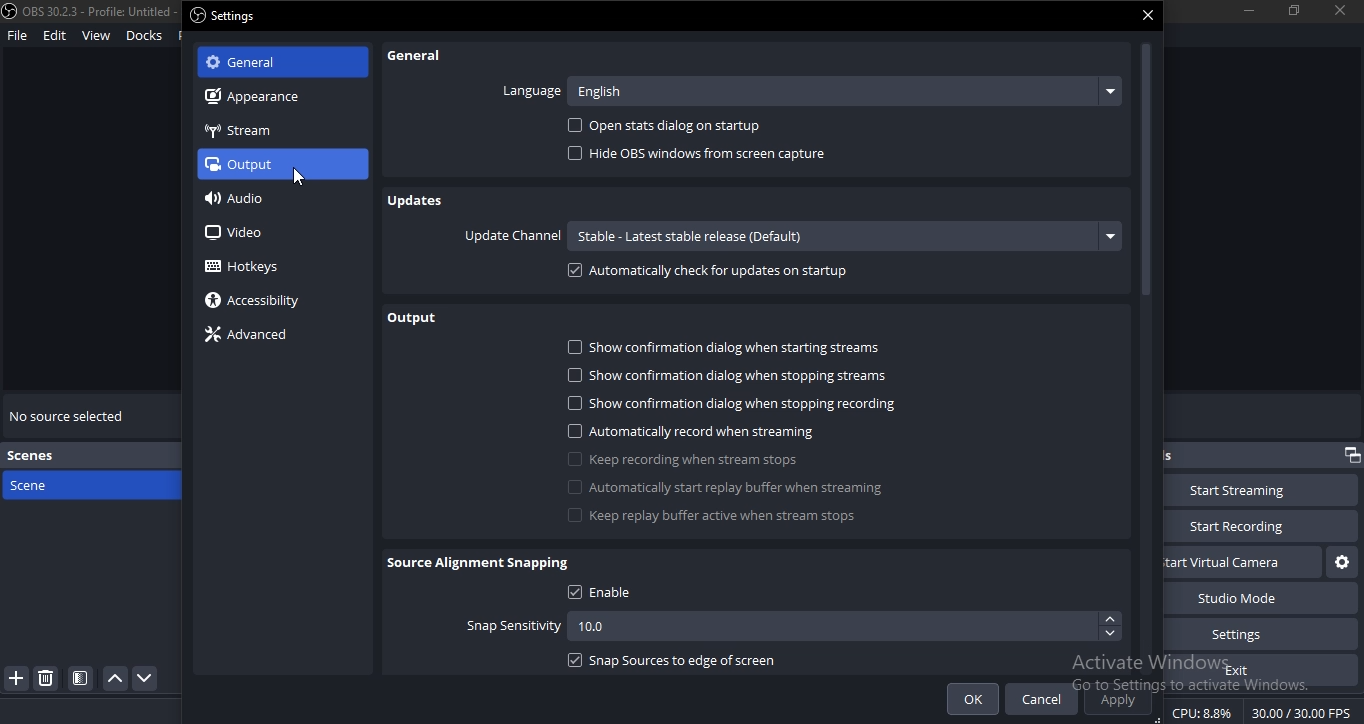  What do you see at coordinates (84, 676) in the screenshot?
I see `grid` at bounding box center [84, 676].